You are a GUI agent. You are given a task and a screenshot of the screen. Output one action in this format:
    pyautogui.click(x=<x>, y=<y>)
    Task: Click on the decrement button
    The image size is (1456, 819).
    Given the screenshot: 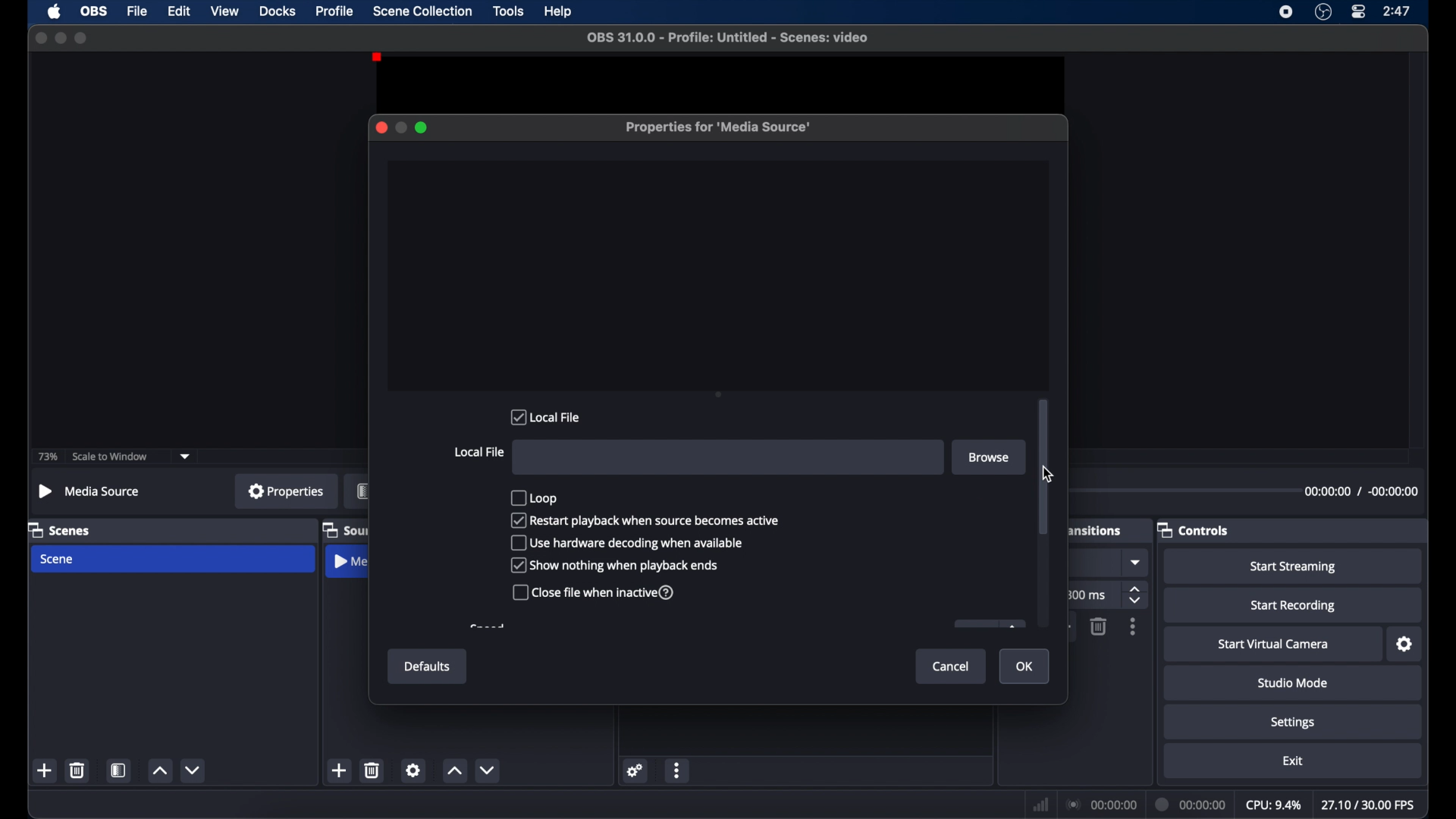 What is the action you would take?
    pyautogui.click(x=194, y=769)
    